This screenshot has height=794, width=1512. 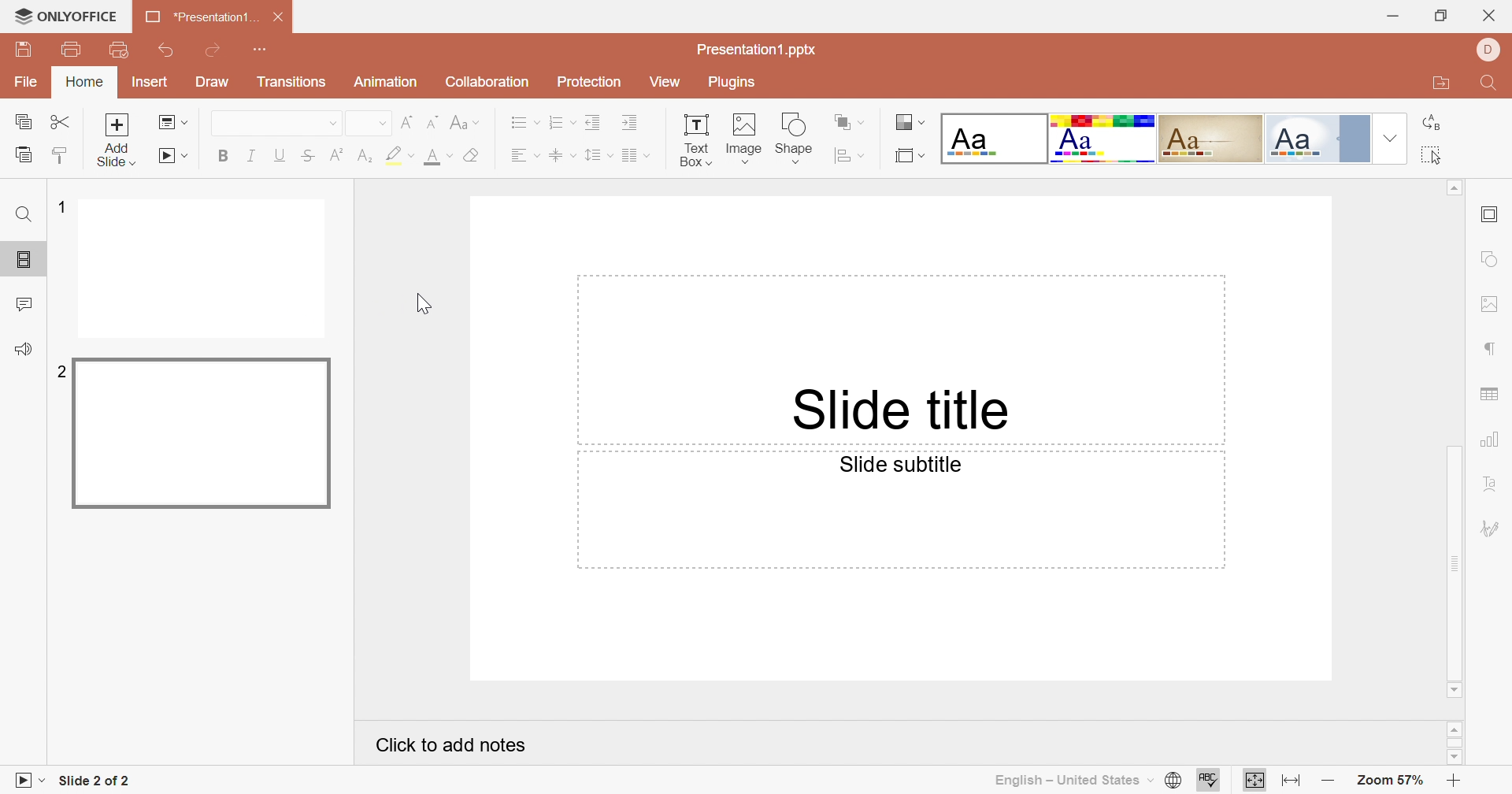 What do you see at coordinates (335, 153) in the screenshot?
I see `Superscript` at bounding box center [335, 153].